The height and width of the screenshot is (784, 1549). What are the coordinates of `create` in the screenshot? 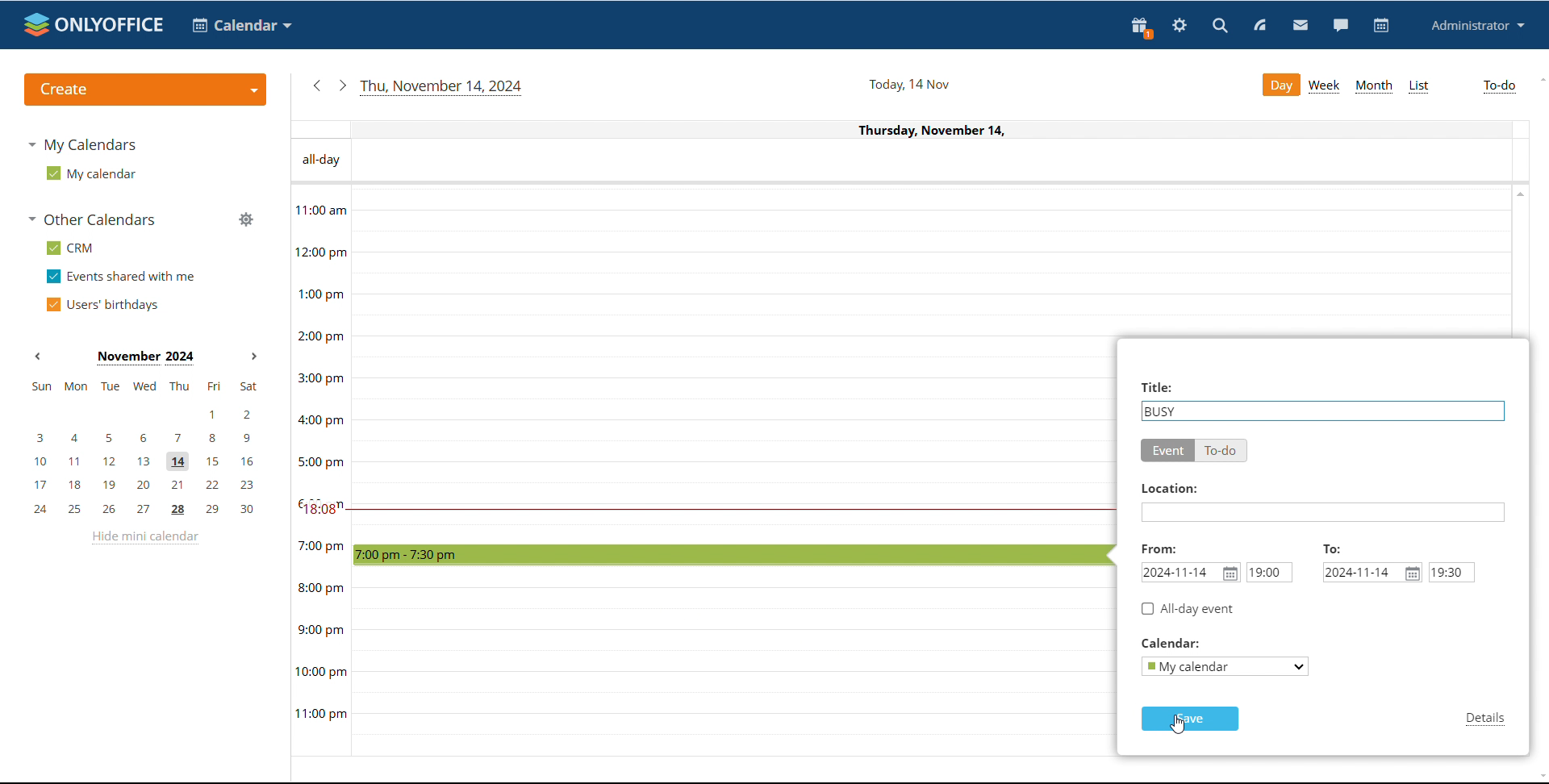 It's located at (145, 90).